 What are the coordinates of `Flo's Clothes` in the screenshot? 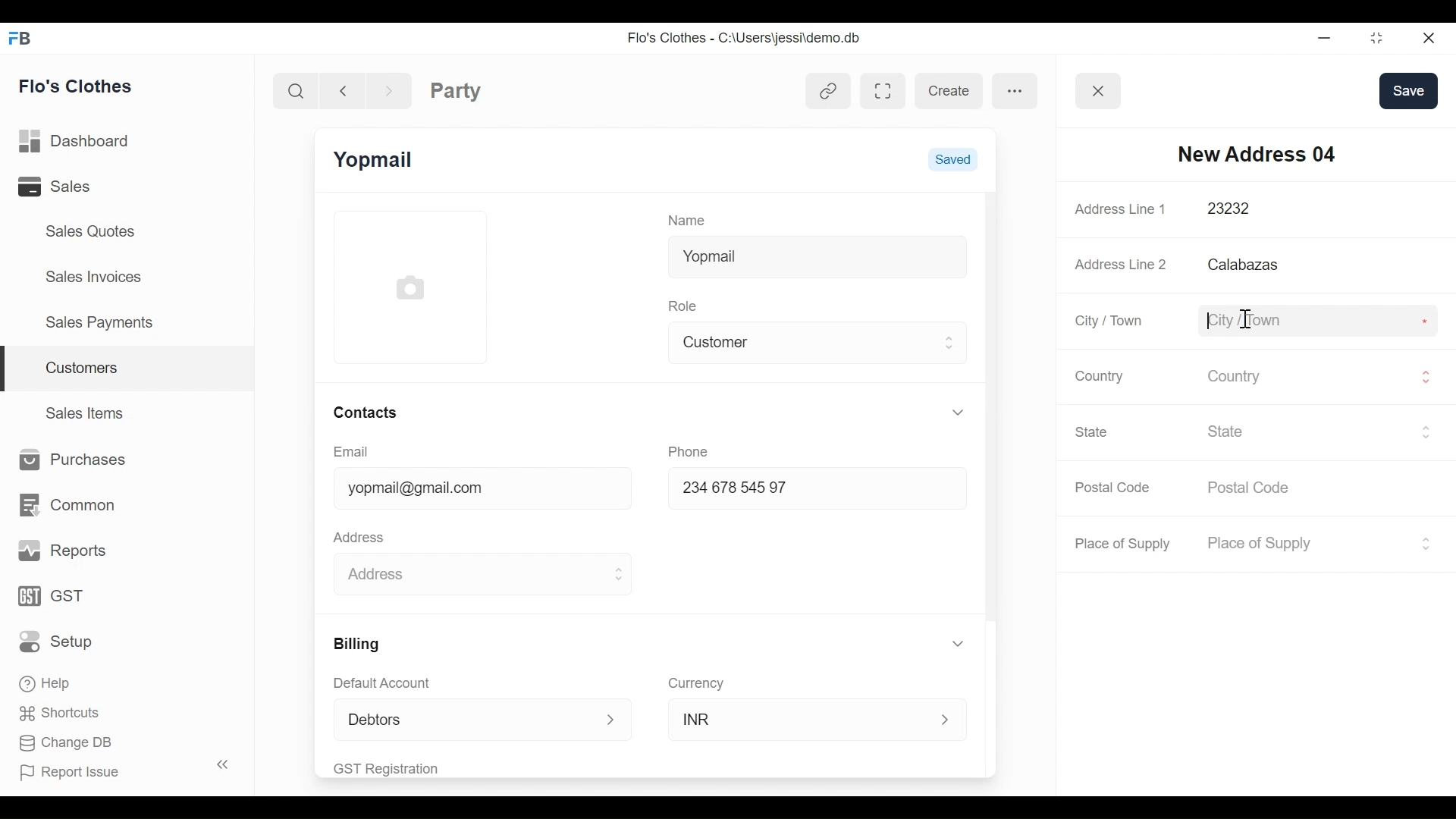 It's located at (78, 86).